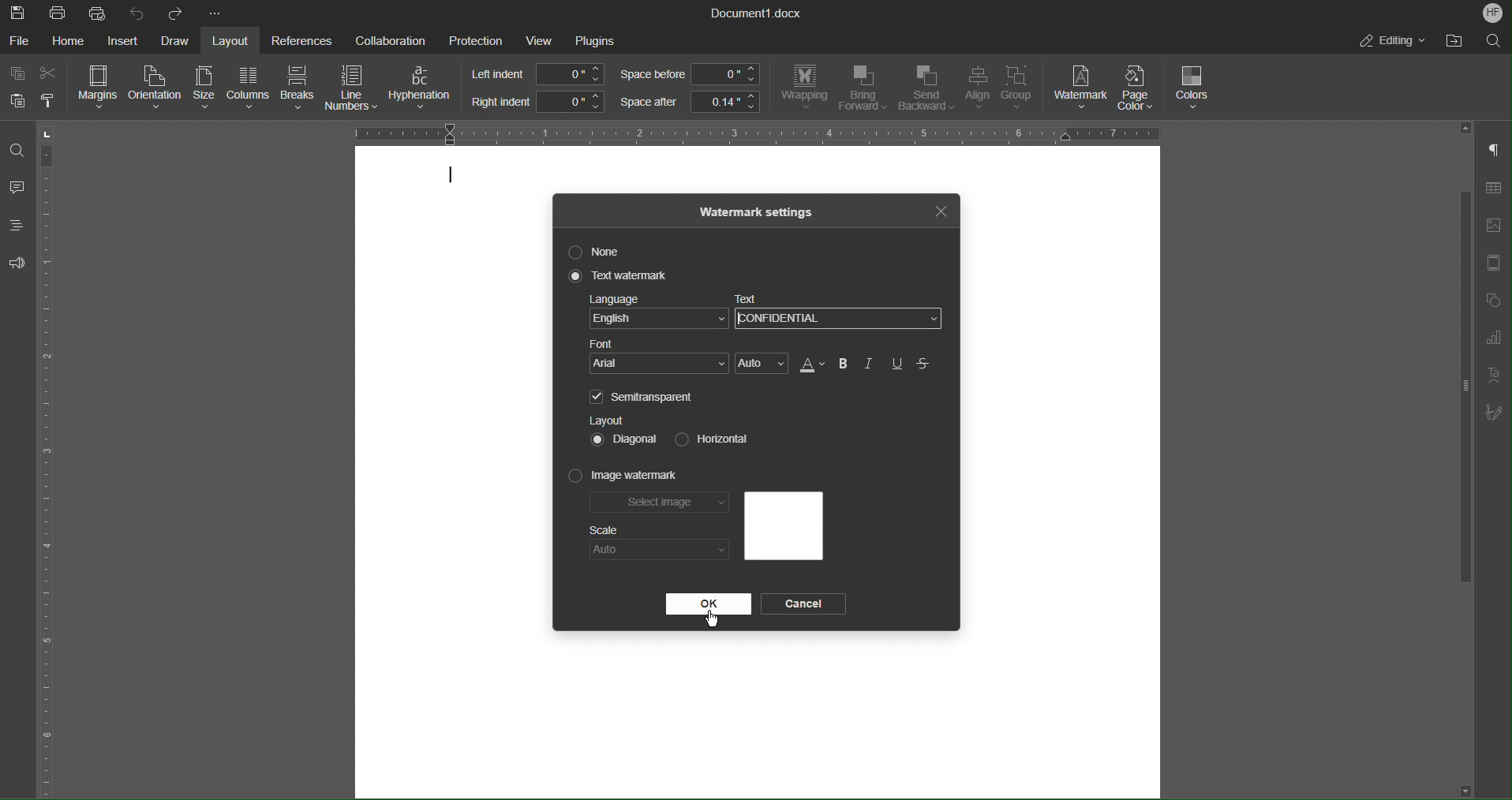 This screenshot has width=1512, height=800. Describe the element at coordinates (595, 41) in the screenshot. I see `Plugins` at that location.